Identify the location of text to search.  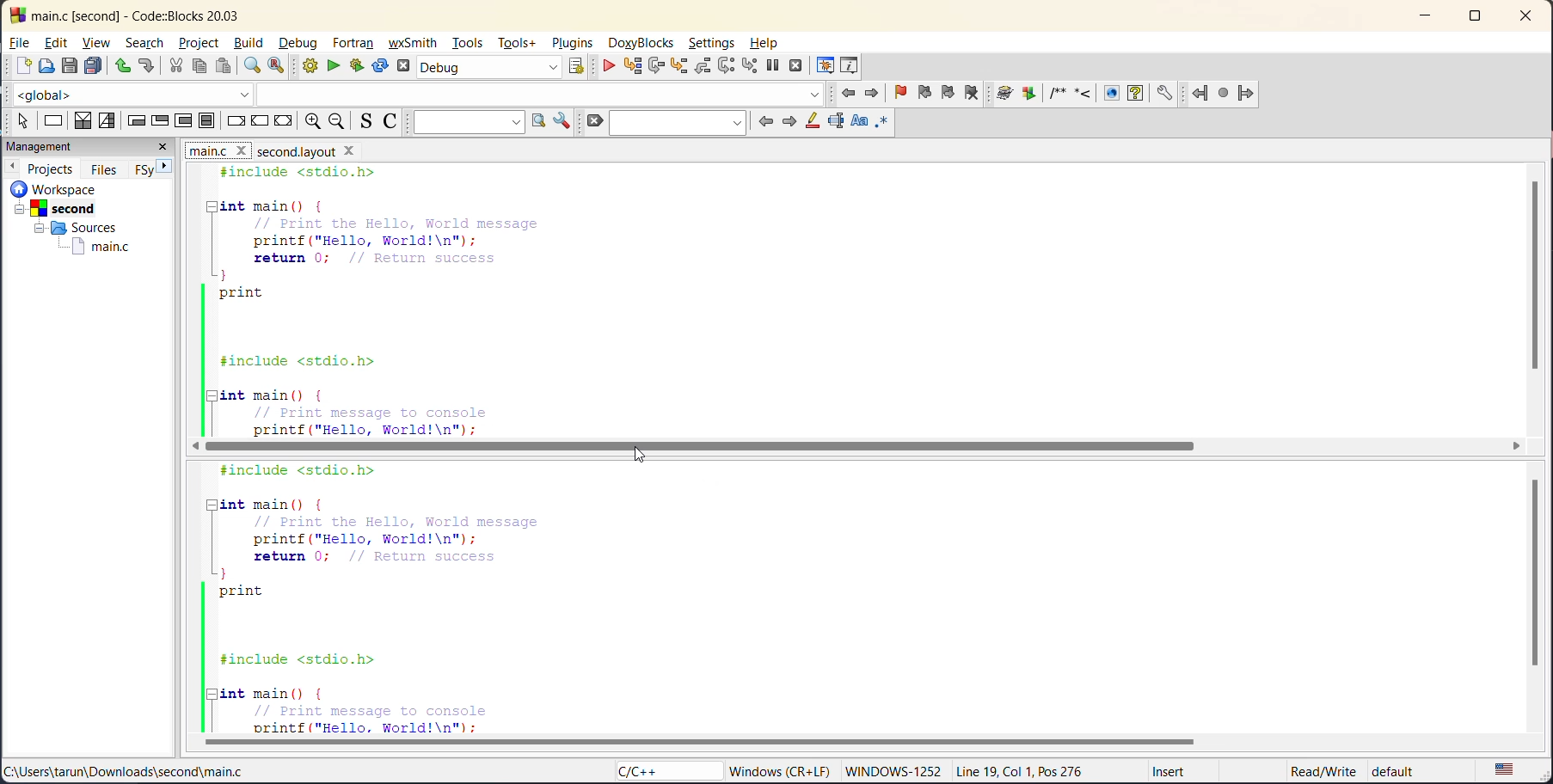
(465, 122).